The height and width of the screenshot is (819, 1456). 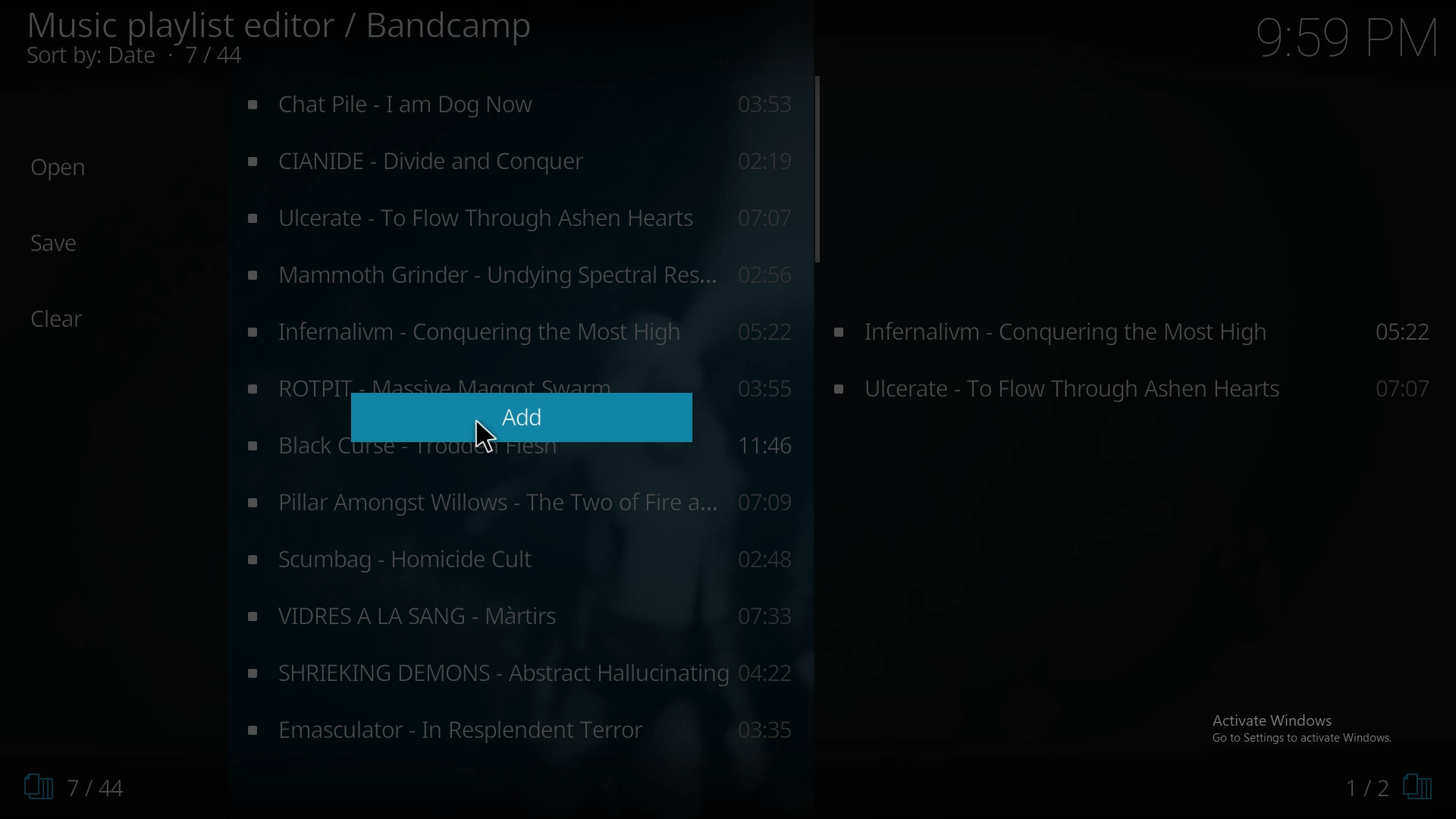 I want to click on music, so click(x=523, y=504).